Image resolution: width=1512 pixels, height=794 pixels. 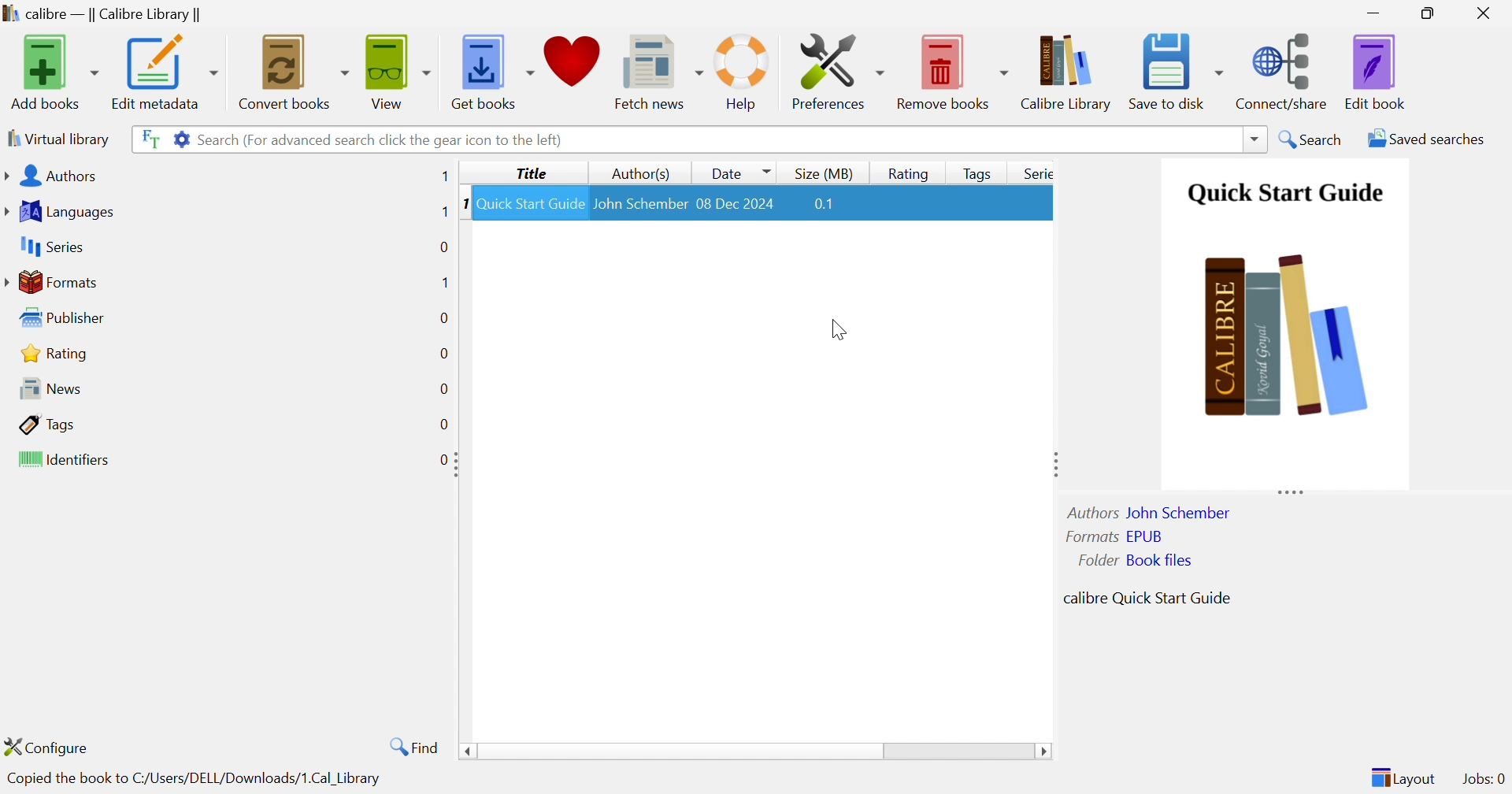 What do you see at coordinates (50, 175) in the screenshot?
I see `Authors` at bounding box center [50, 175].